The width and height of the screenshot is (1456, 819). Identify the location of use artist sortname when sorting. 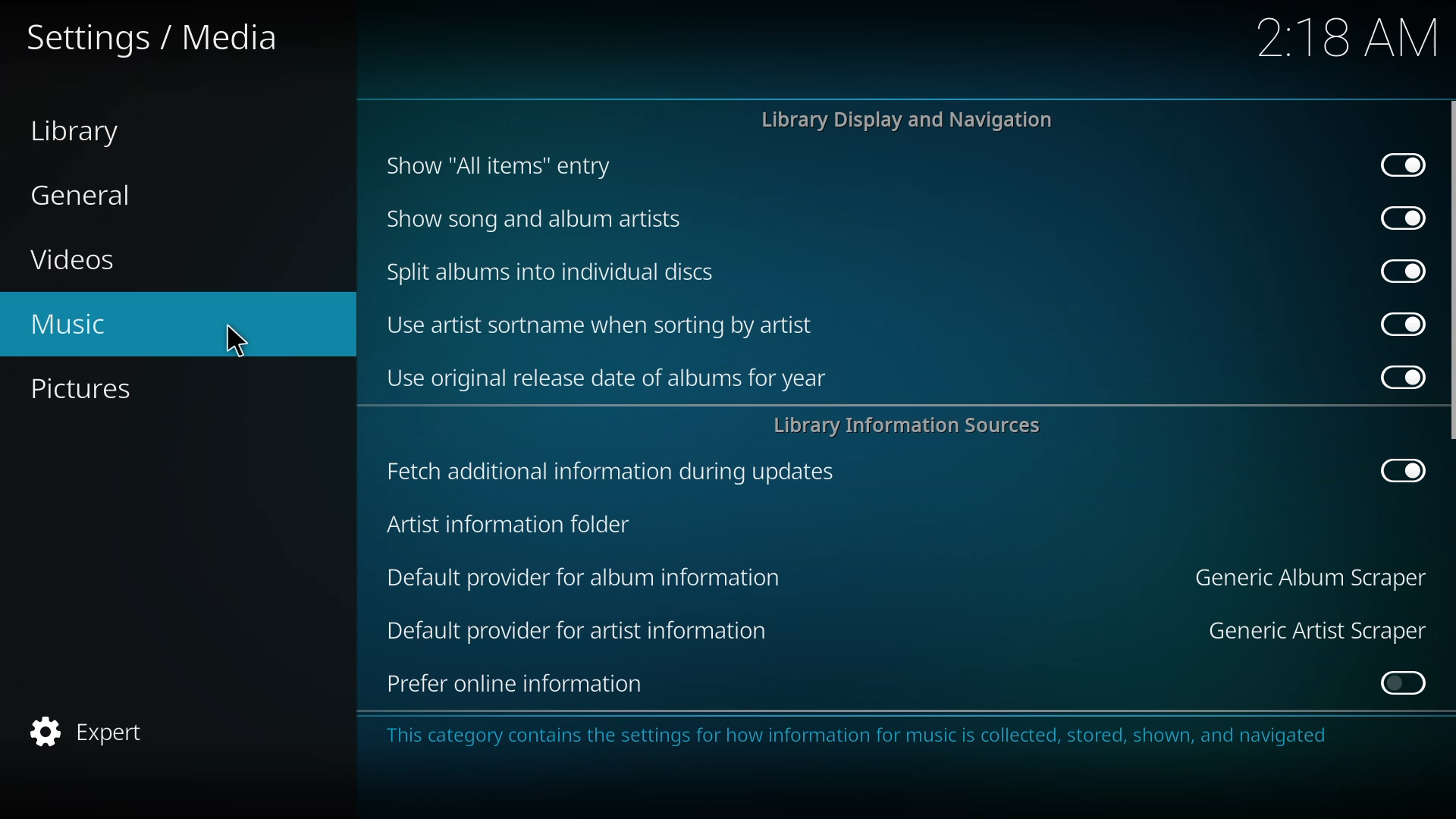
(602, 324).